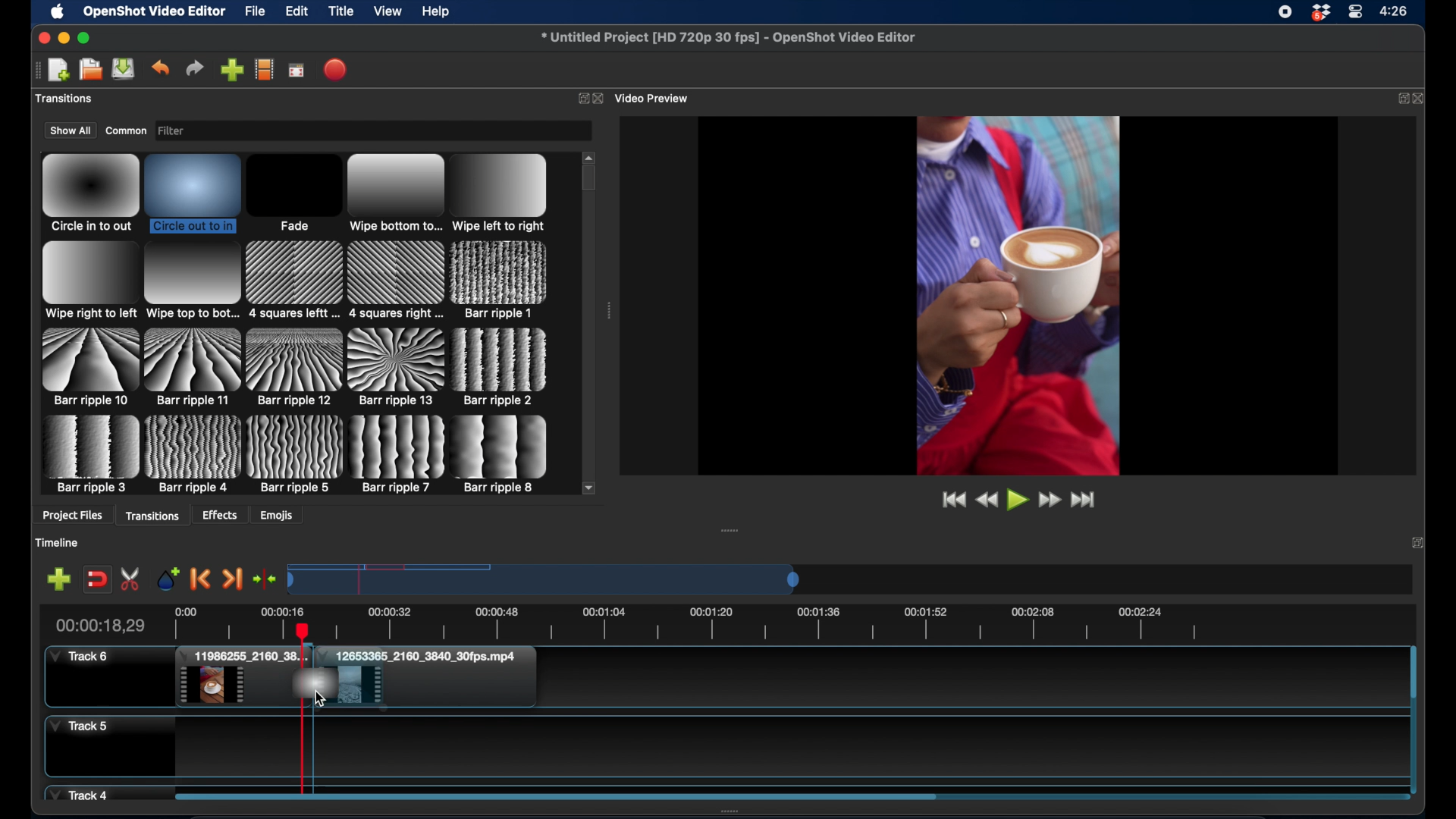  Describe the element at coordinates (589, 487) in the screenshot. I see `scroll down arrow` at that location.